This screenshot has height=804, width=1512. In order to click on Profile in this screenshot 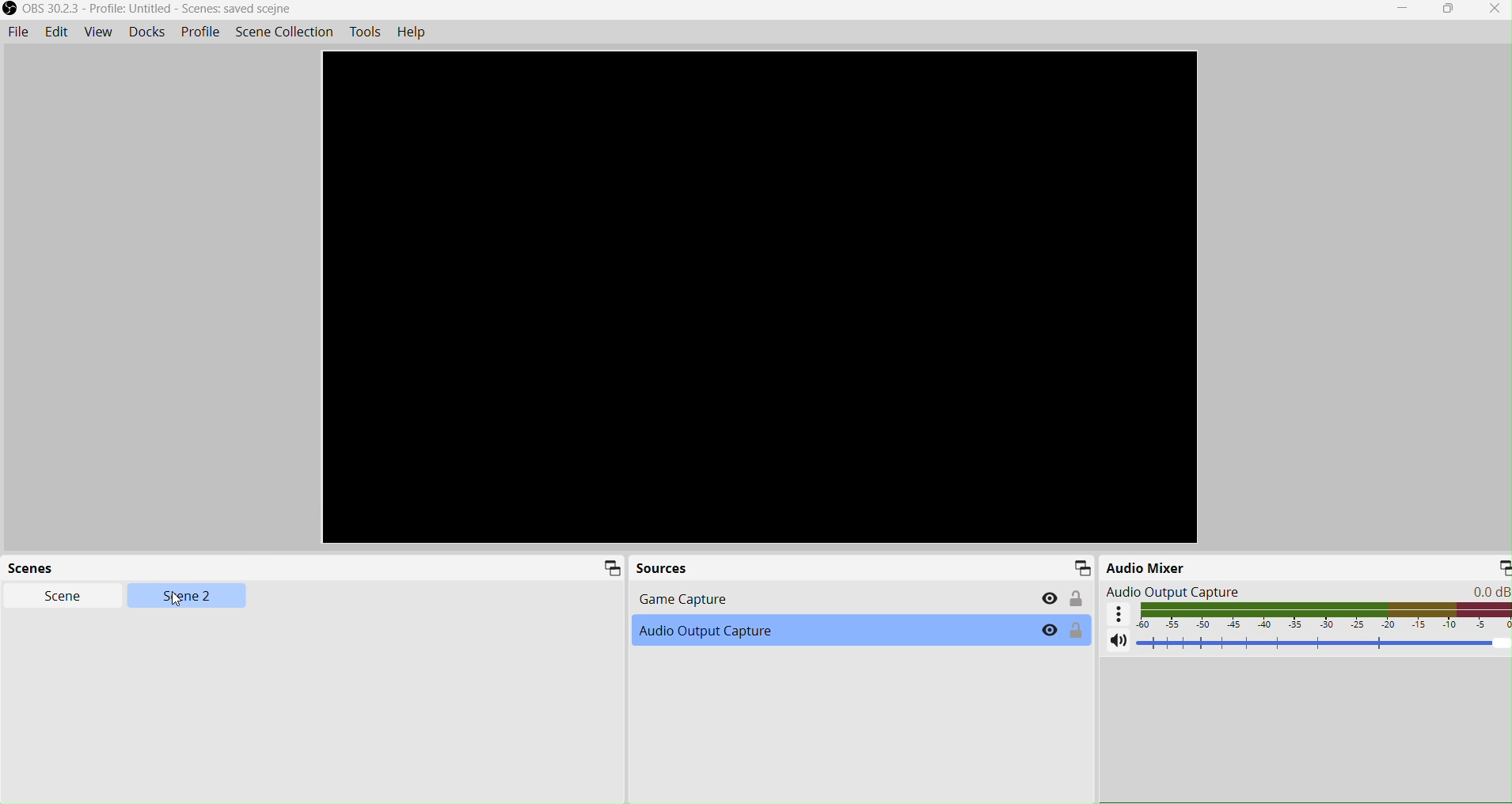, I will do `click(201, 31)`.